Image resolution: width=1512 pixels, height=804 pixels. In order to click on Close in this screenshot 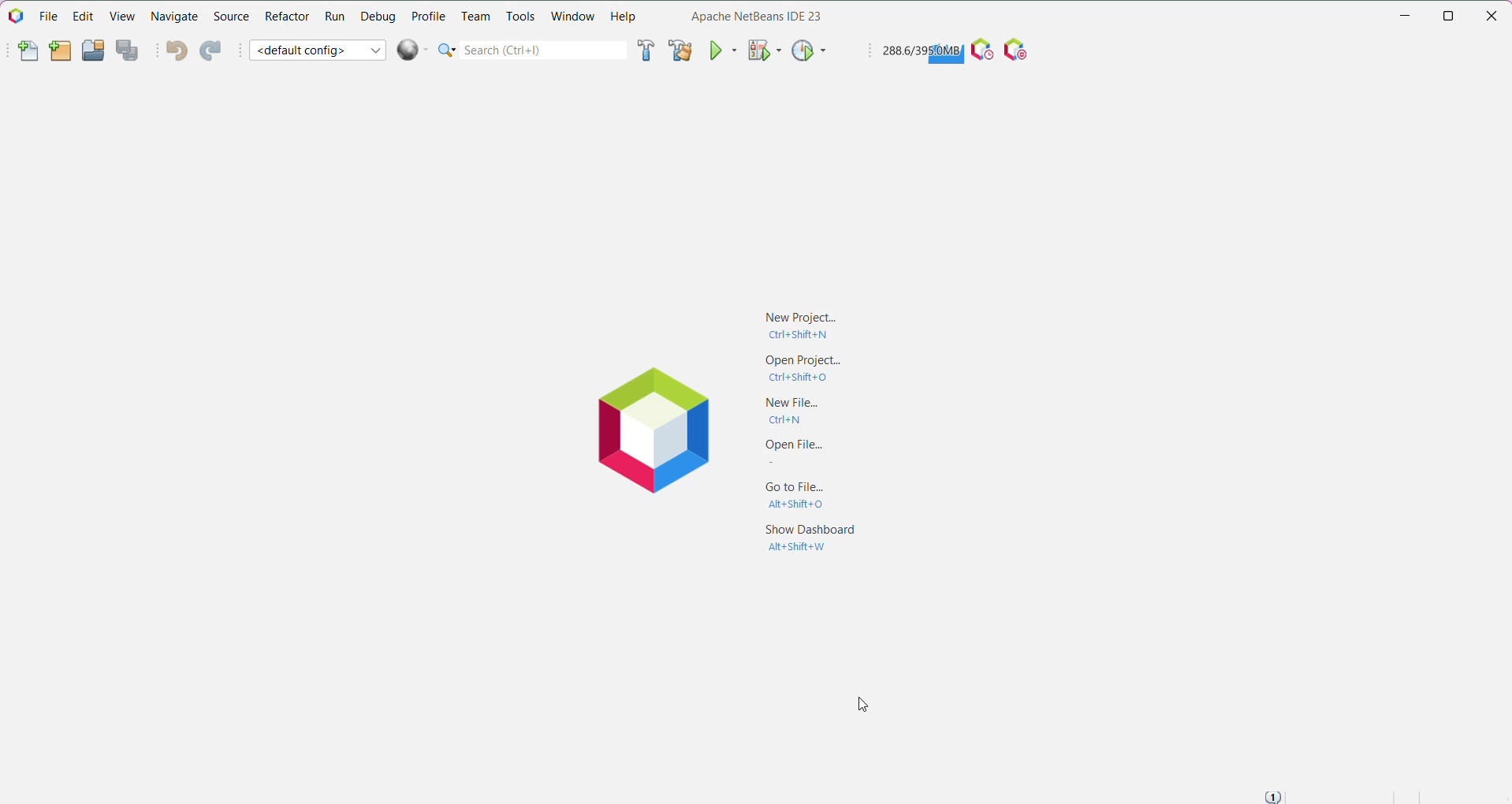, I will do `click(1495, 17)`.